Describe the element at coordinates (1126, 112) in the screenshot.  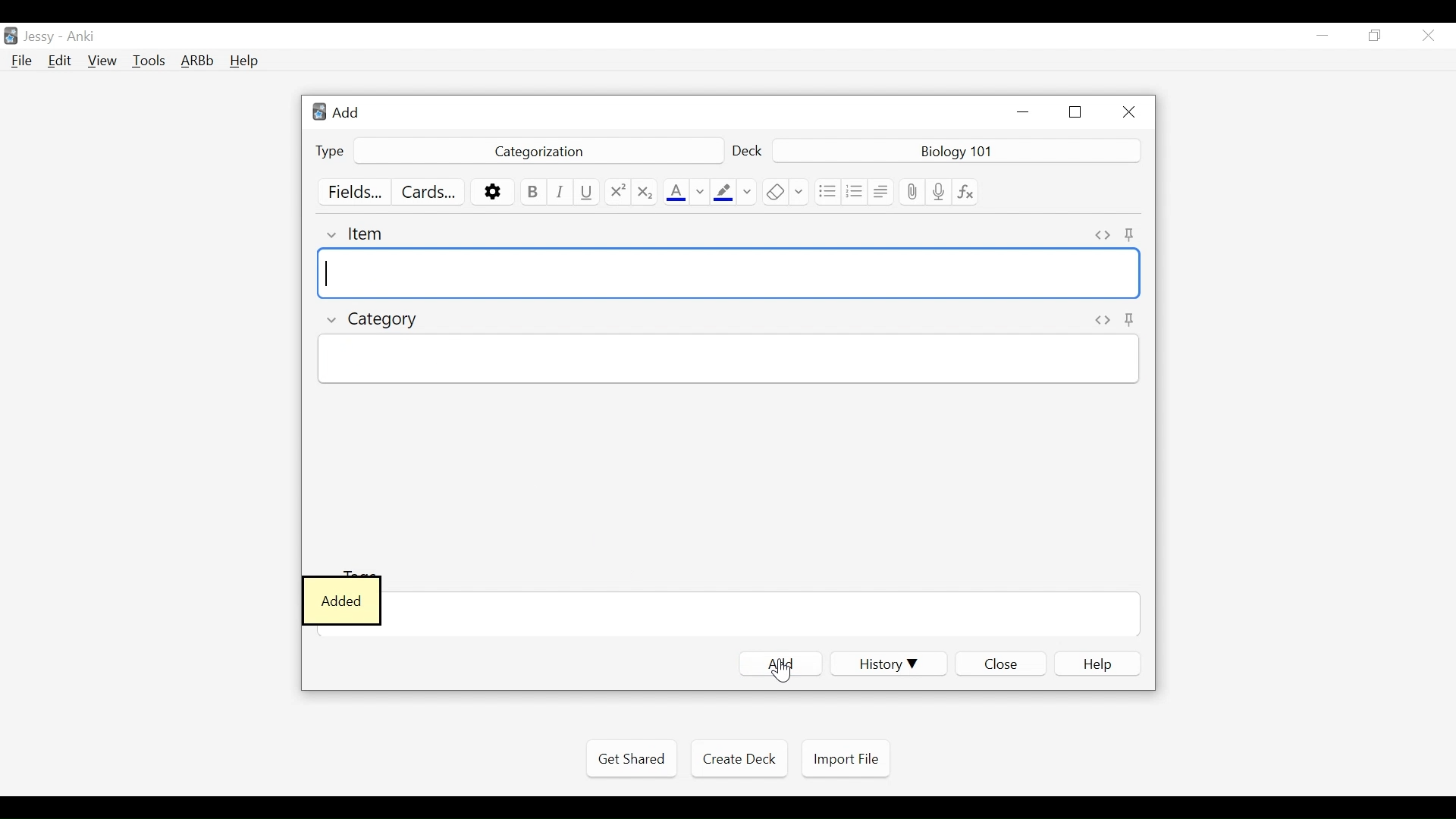
I see `Close` at that location.